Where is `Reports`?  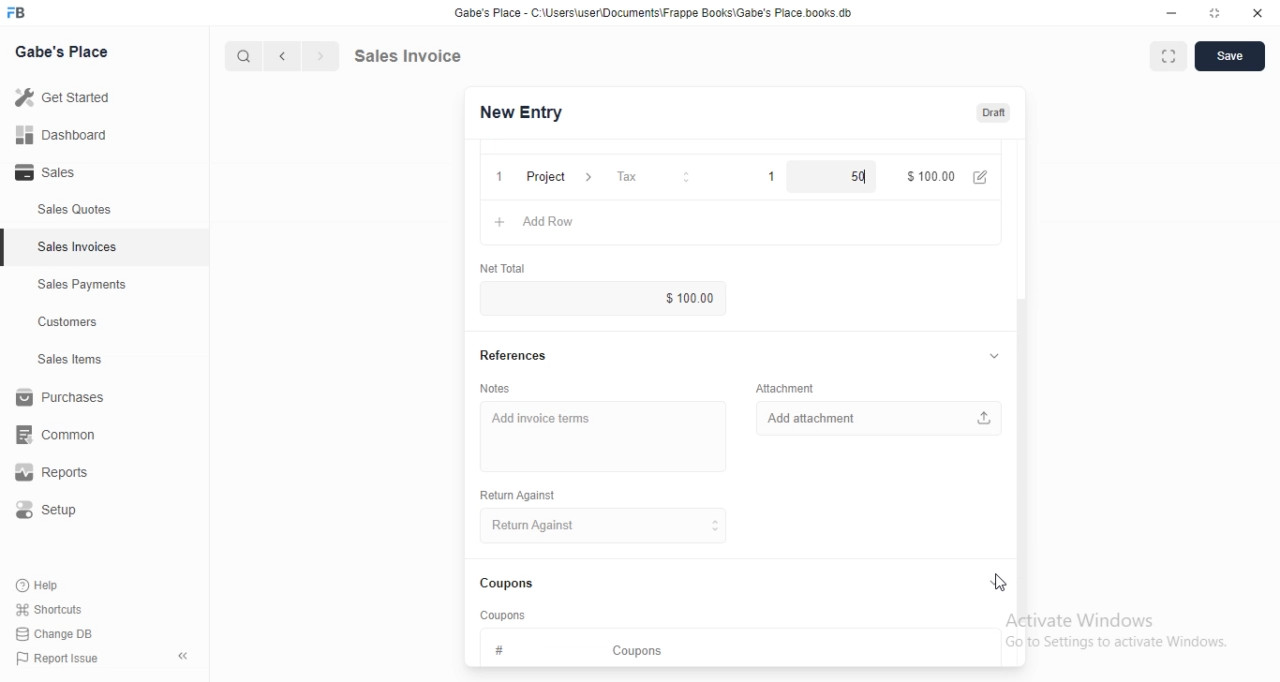 Reports is located at coordinates (65, 475).